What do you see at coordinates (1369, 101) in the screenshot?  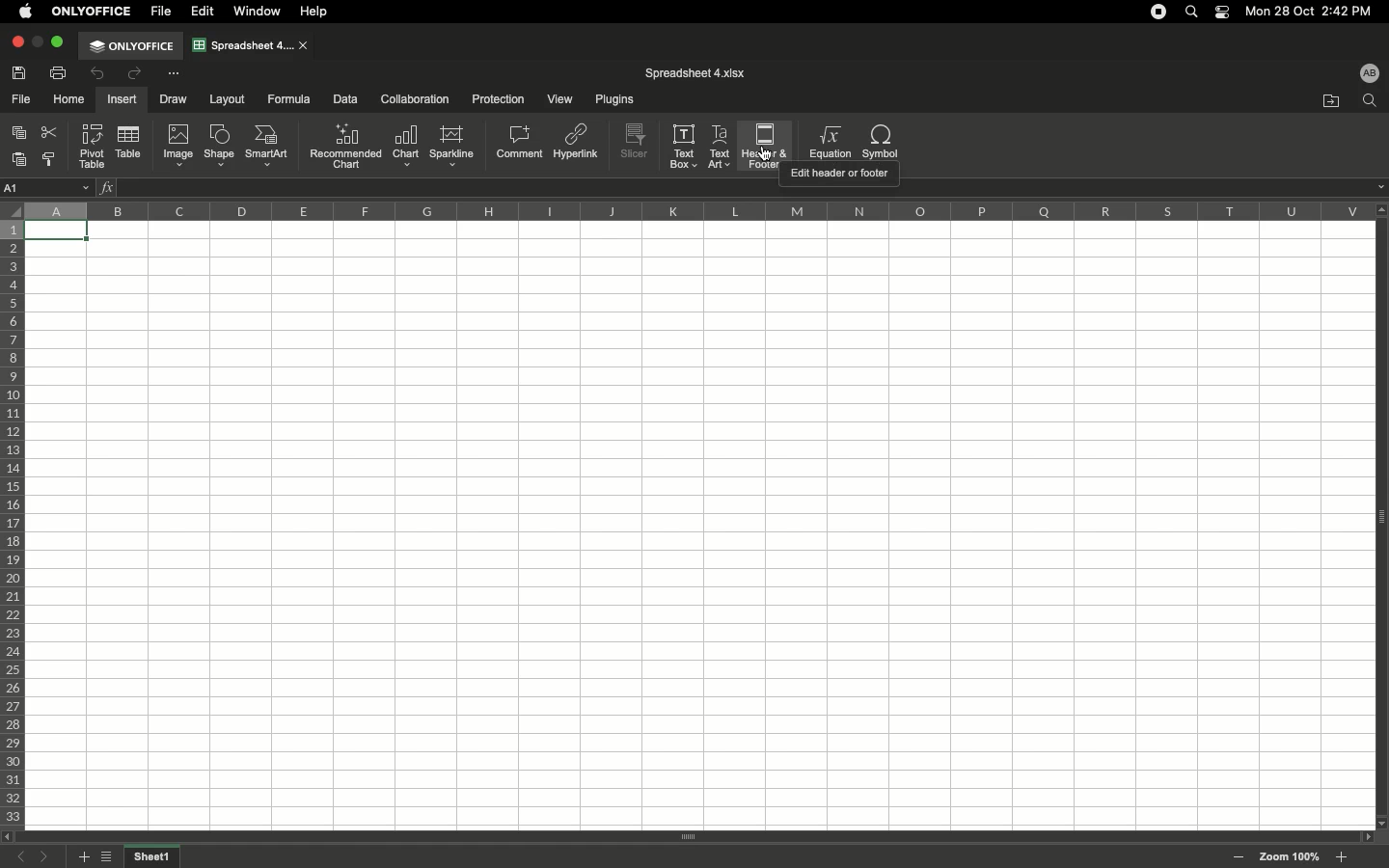 I see `Find` at bounding box center [1369, 101].